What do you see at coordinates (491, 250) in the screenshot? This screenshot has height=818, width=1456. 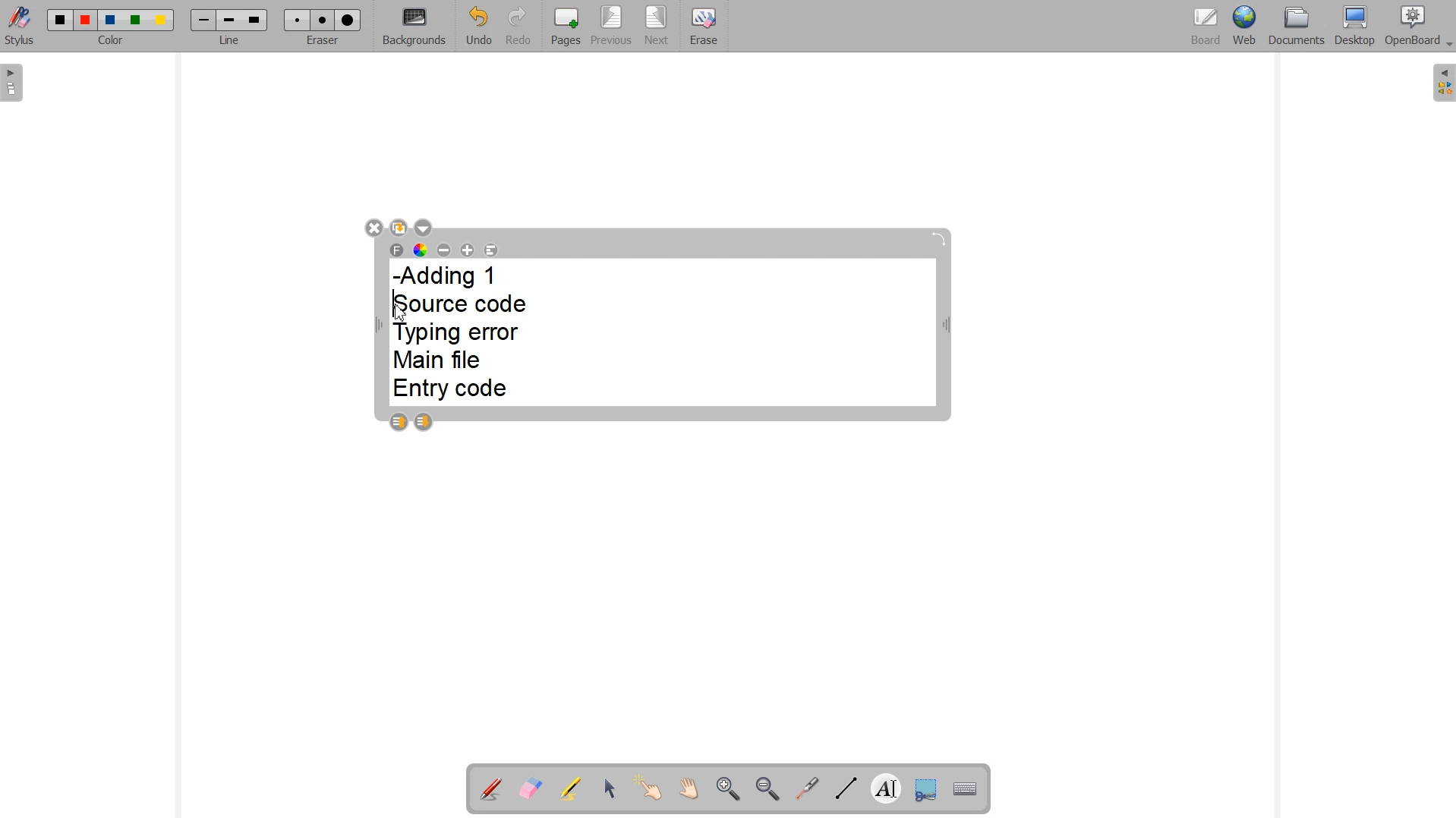 I see `Text Alignment` at bounding box center [491, 250].